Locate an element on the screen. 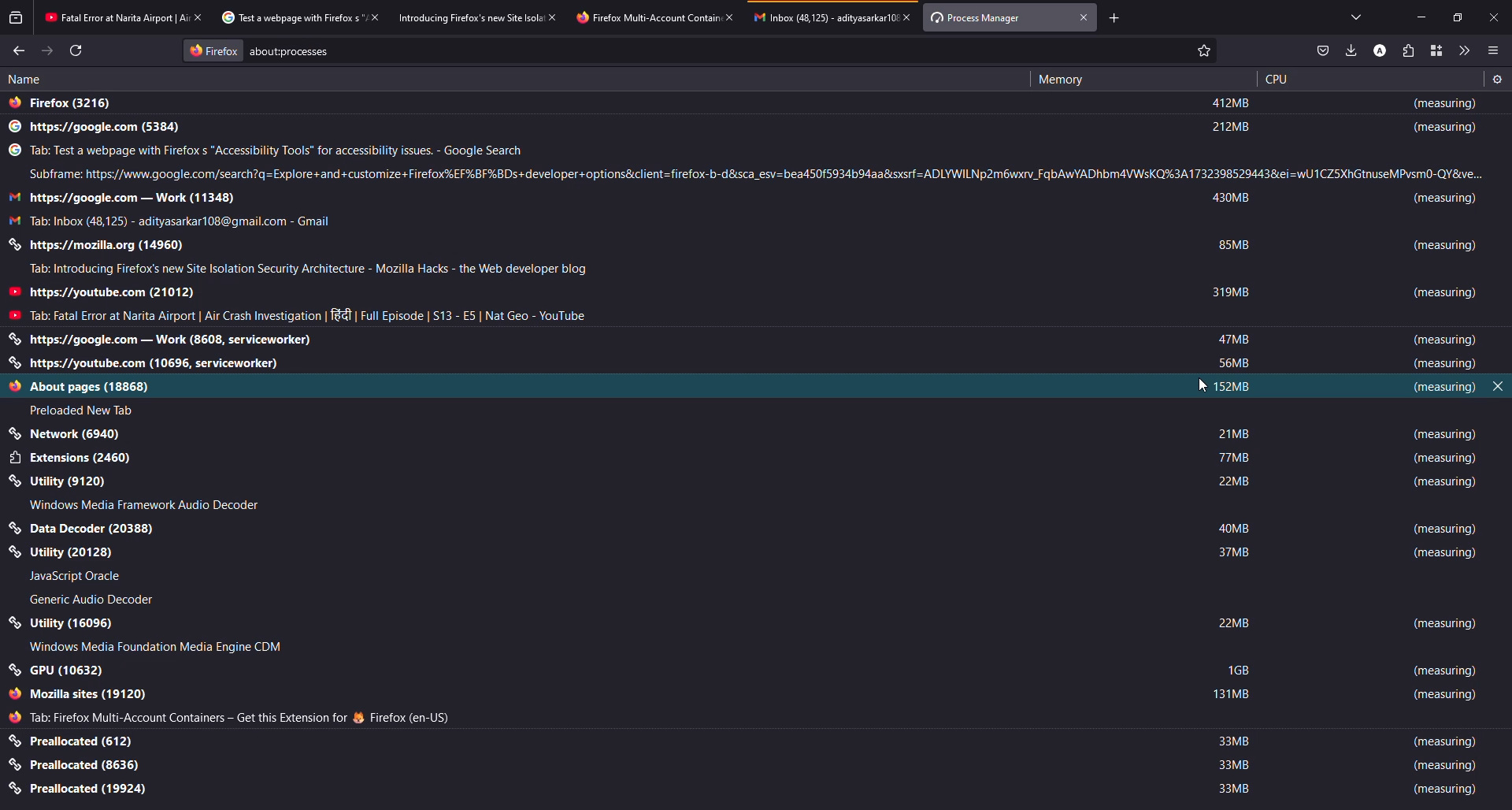 This screenshot has width=1512, height=810. close is located at coordinates (202, 17).